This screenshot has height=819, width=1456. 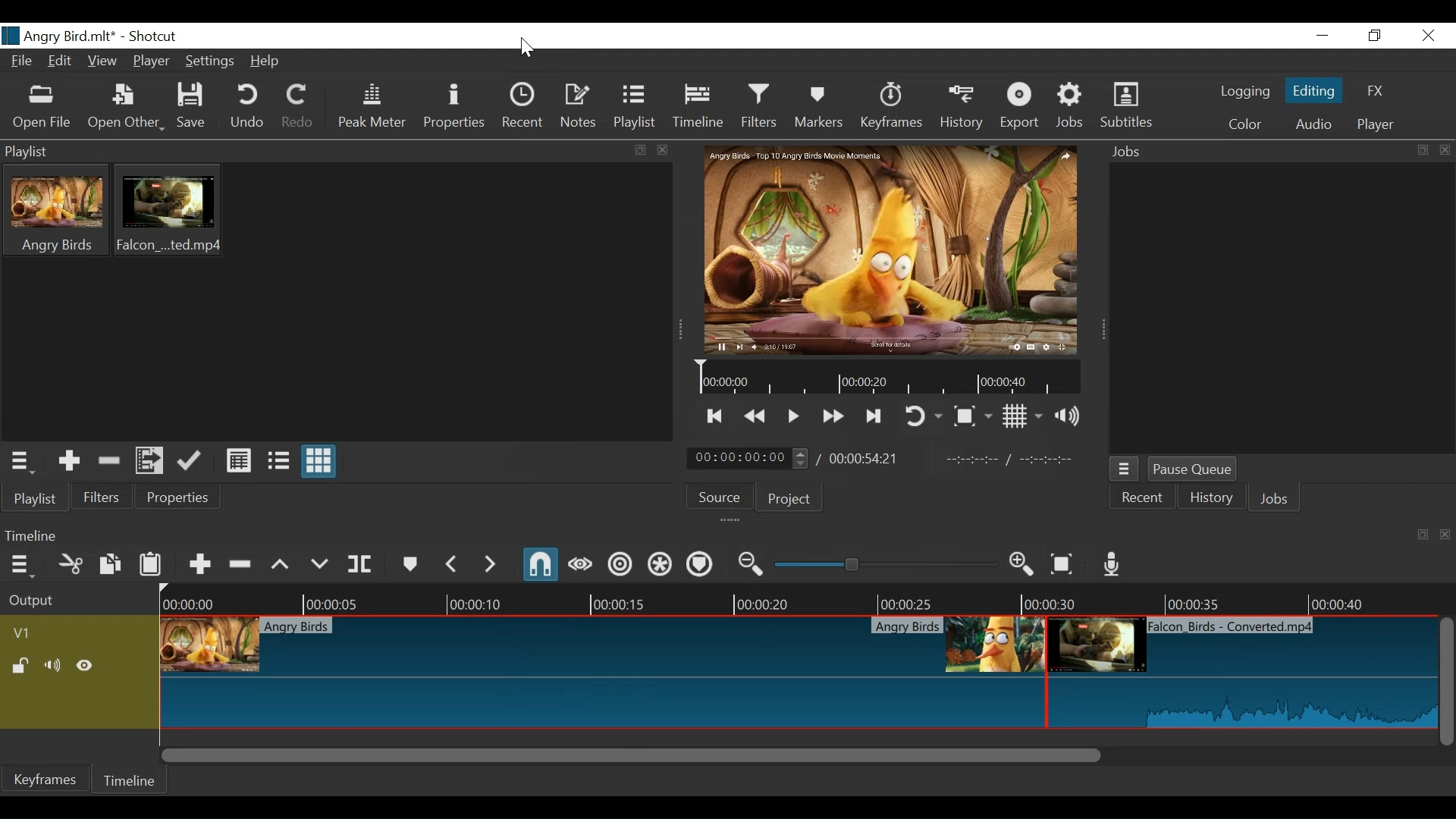 What do you see at coordinates (295, 107) in the screenshot?
I see `Redo` at bounding box center [295, 107].